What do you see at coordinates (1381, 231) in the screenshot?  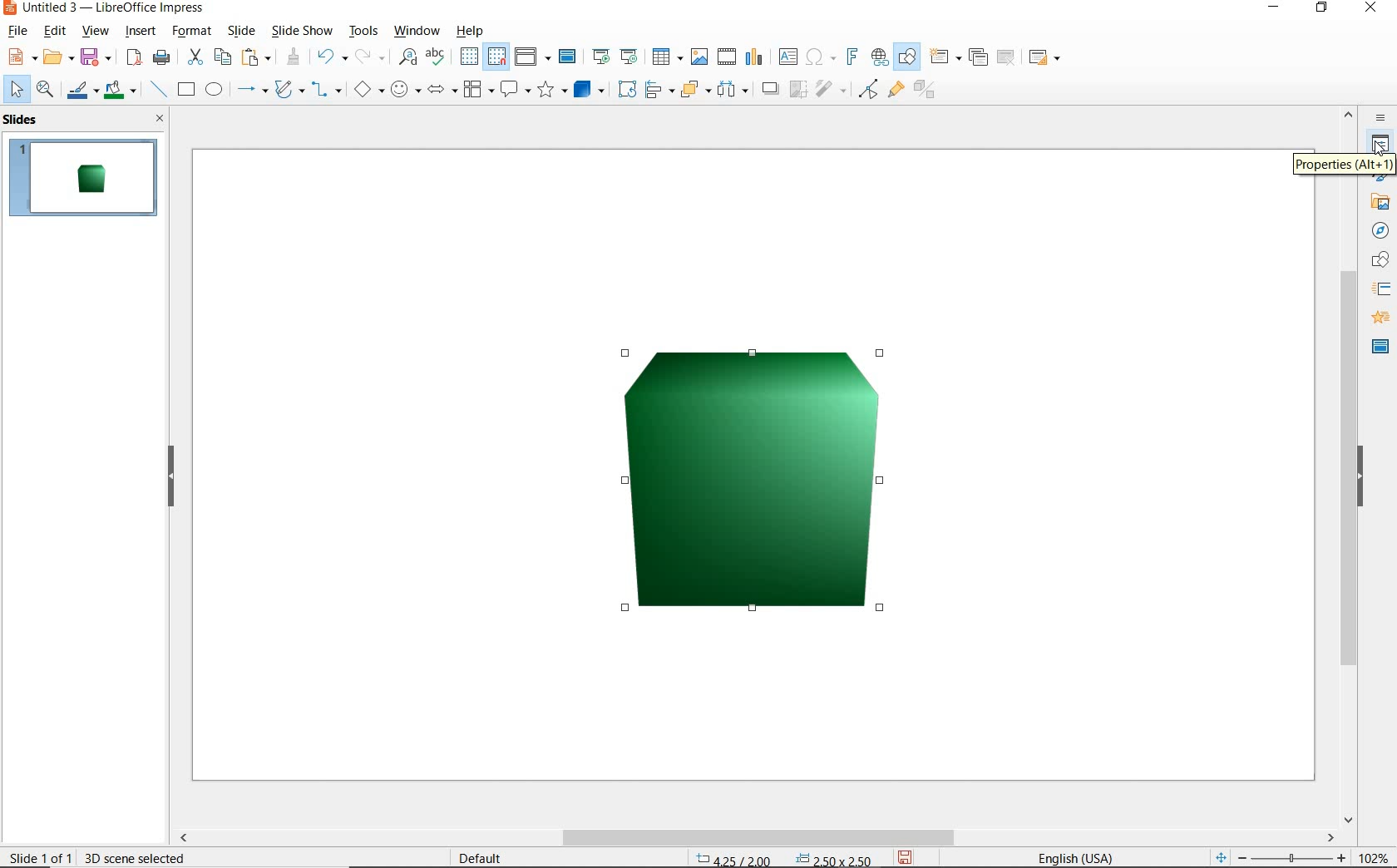 I see `NAVIGGATOR` at bounding box center [1381, 231].